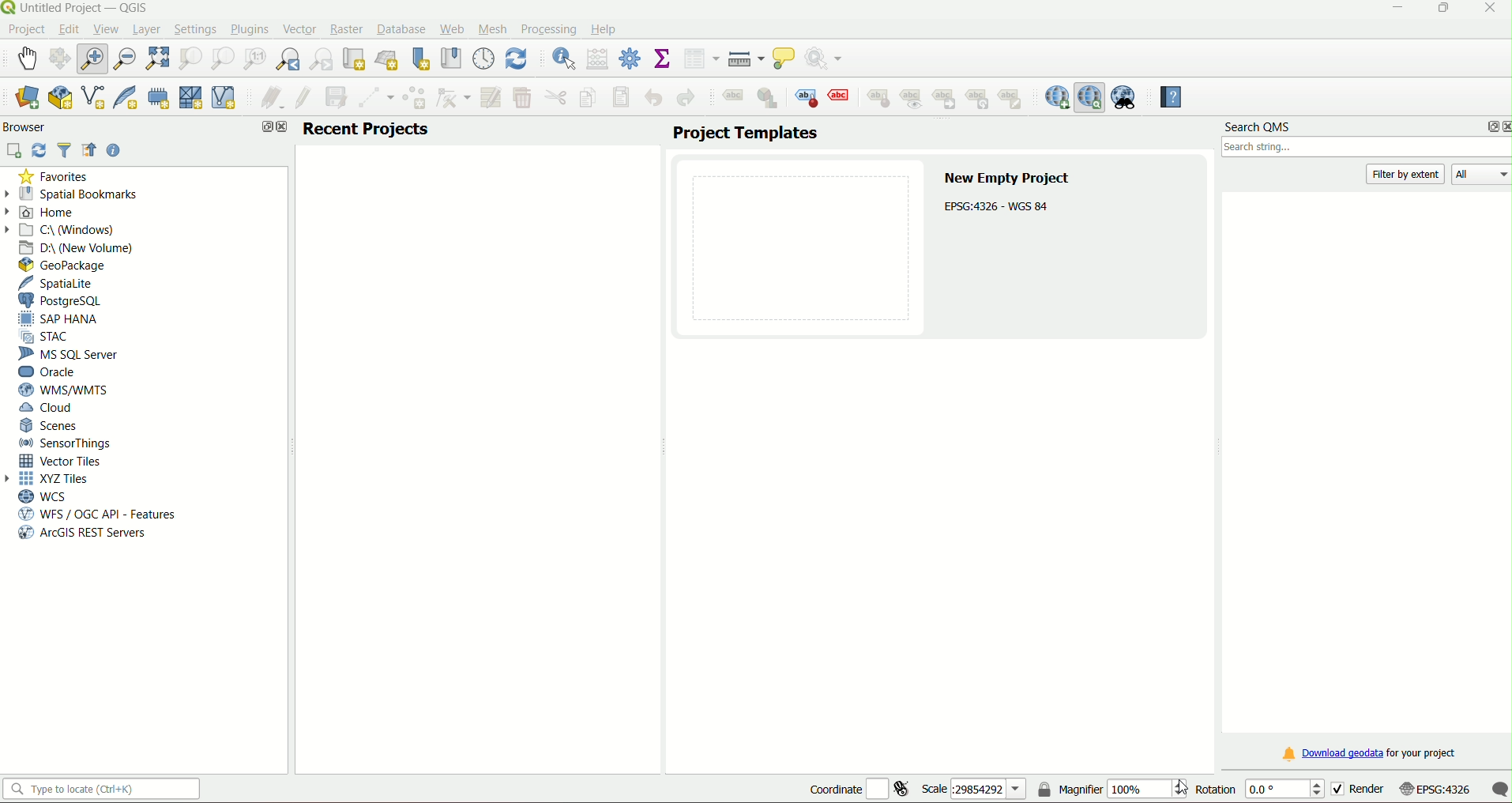 This screenshot has height=803, width=1512. What do you see at coordinates (450, 58) in the screenshot?
I see `show spatial bookmark` at bounding box center [450, 58].